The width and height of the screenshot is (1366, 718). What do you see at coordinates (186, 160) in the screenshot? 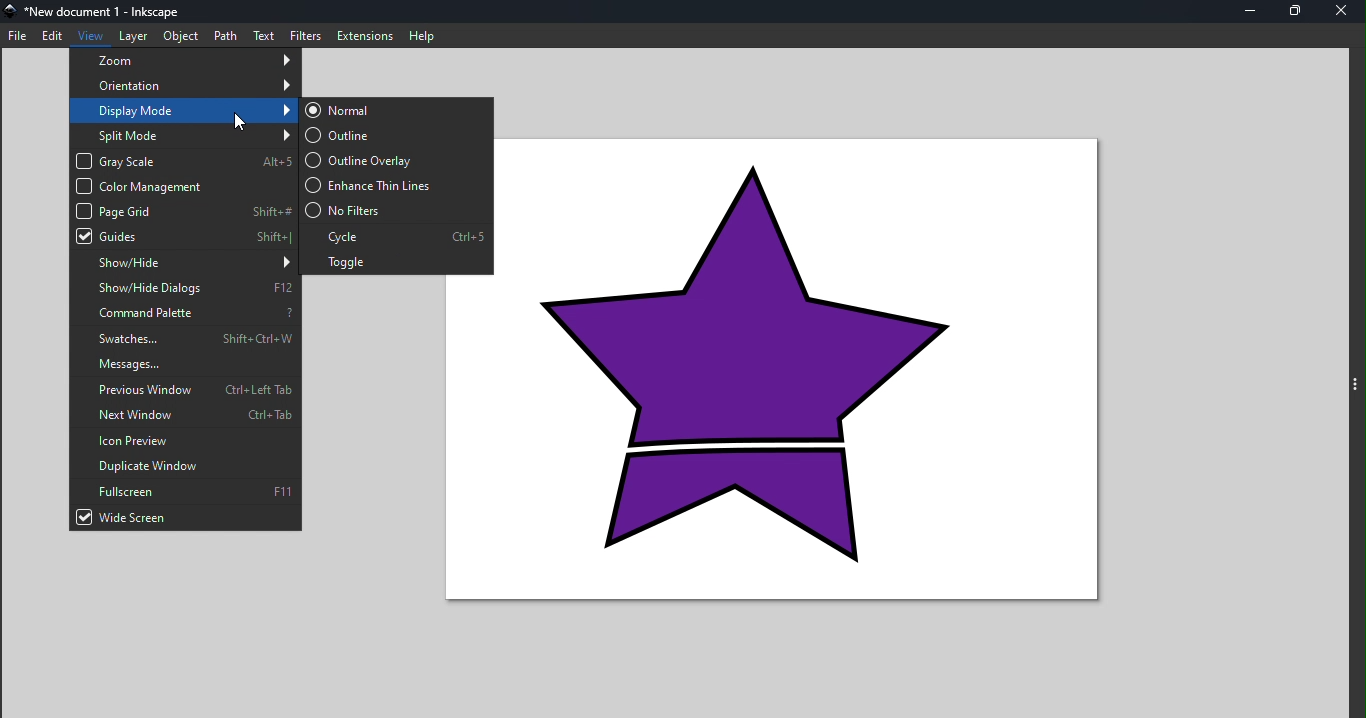
I see `Gray scale` at bounding box center [186, 160].